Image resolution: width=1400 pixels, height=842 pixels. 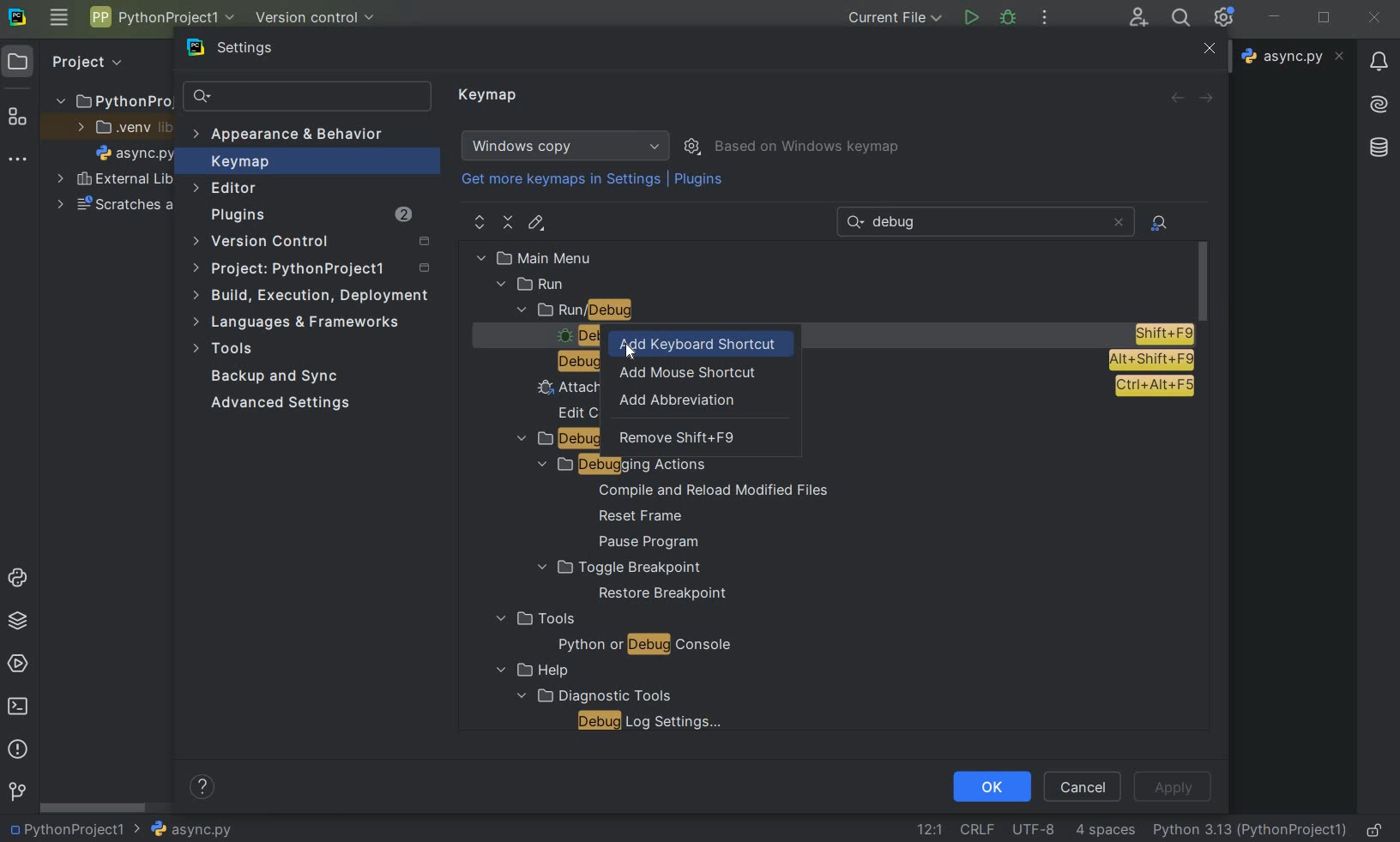 I want to click on version control, so click(x=317, y=243).